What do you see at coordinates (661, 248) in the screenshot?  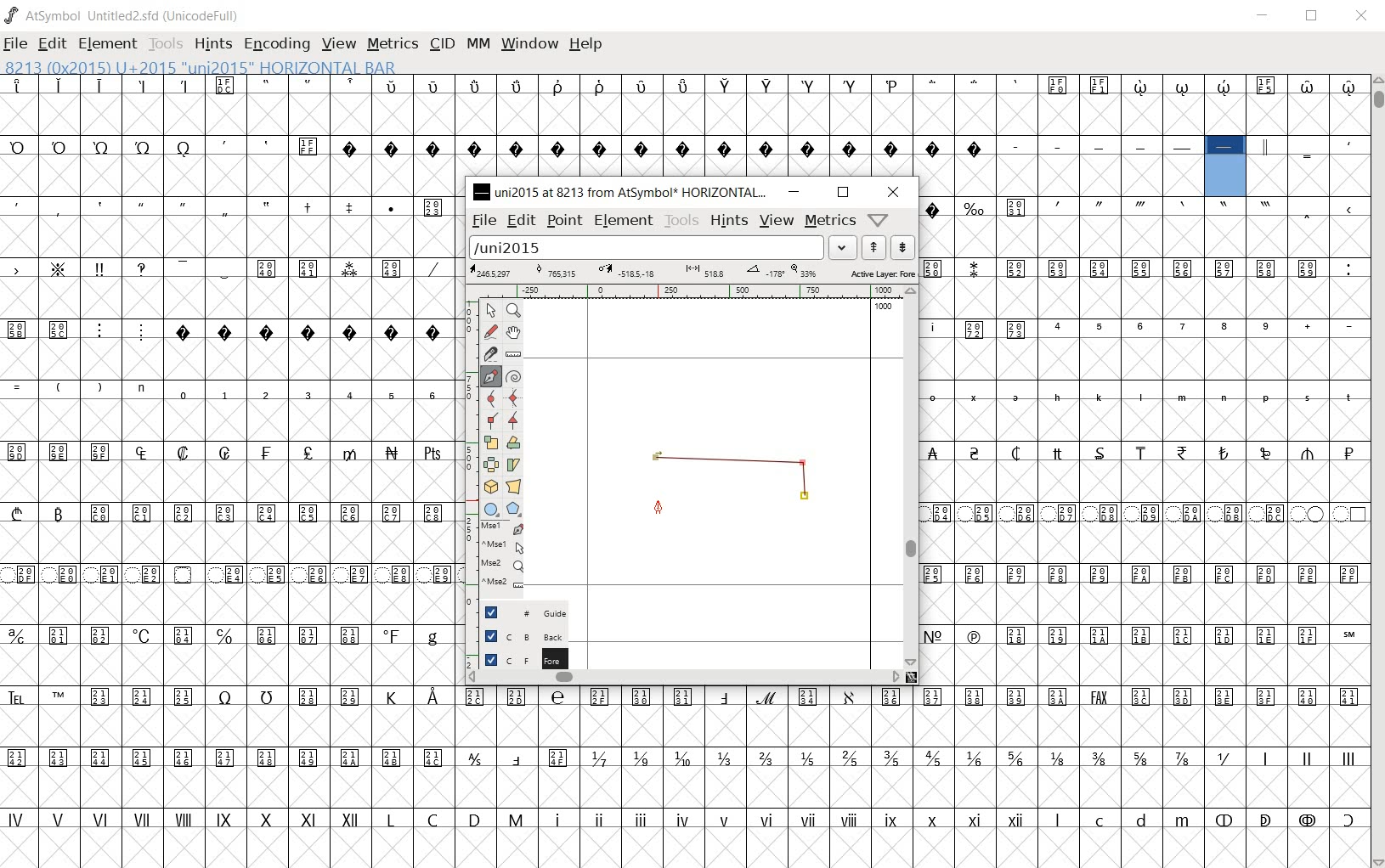 I see `load word list` at bounding box center [661, 248].